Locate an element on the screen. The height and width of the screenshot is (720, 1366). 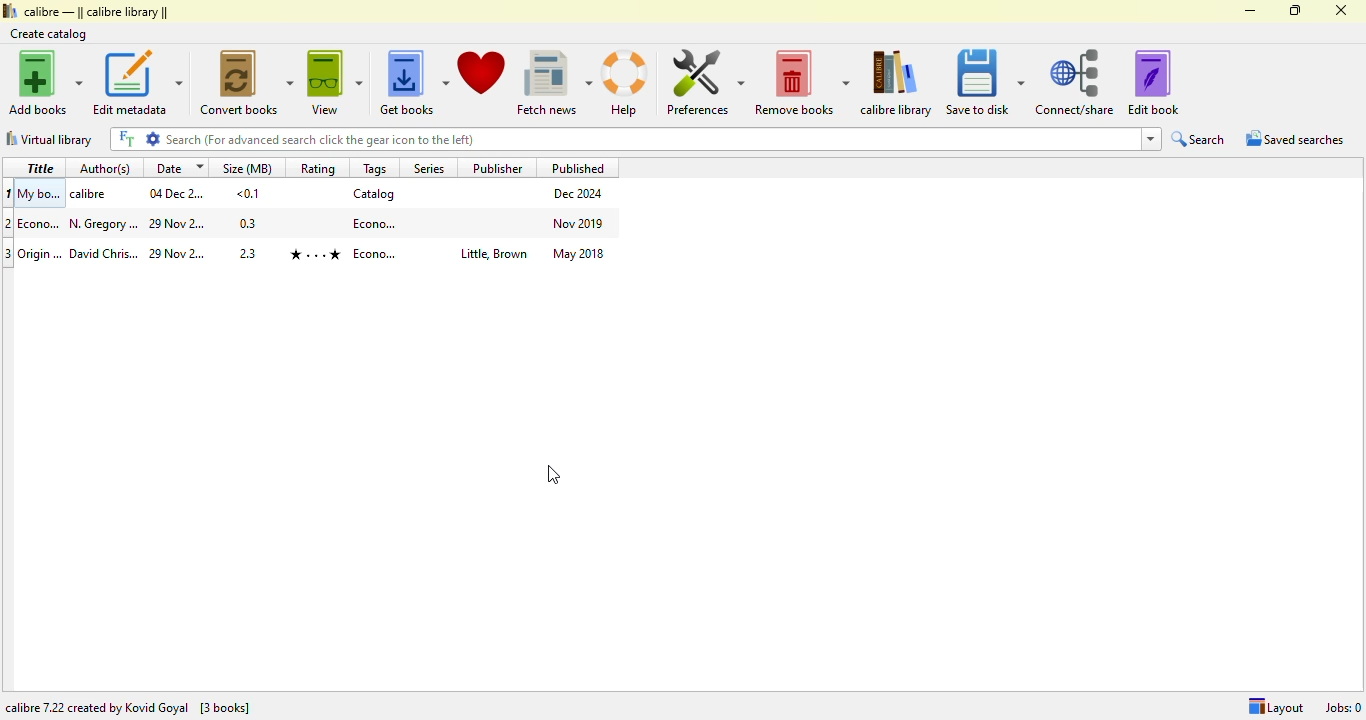
index numbers is located at coordinates (7, 208).